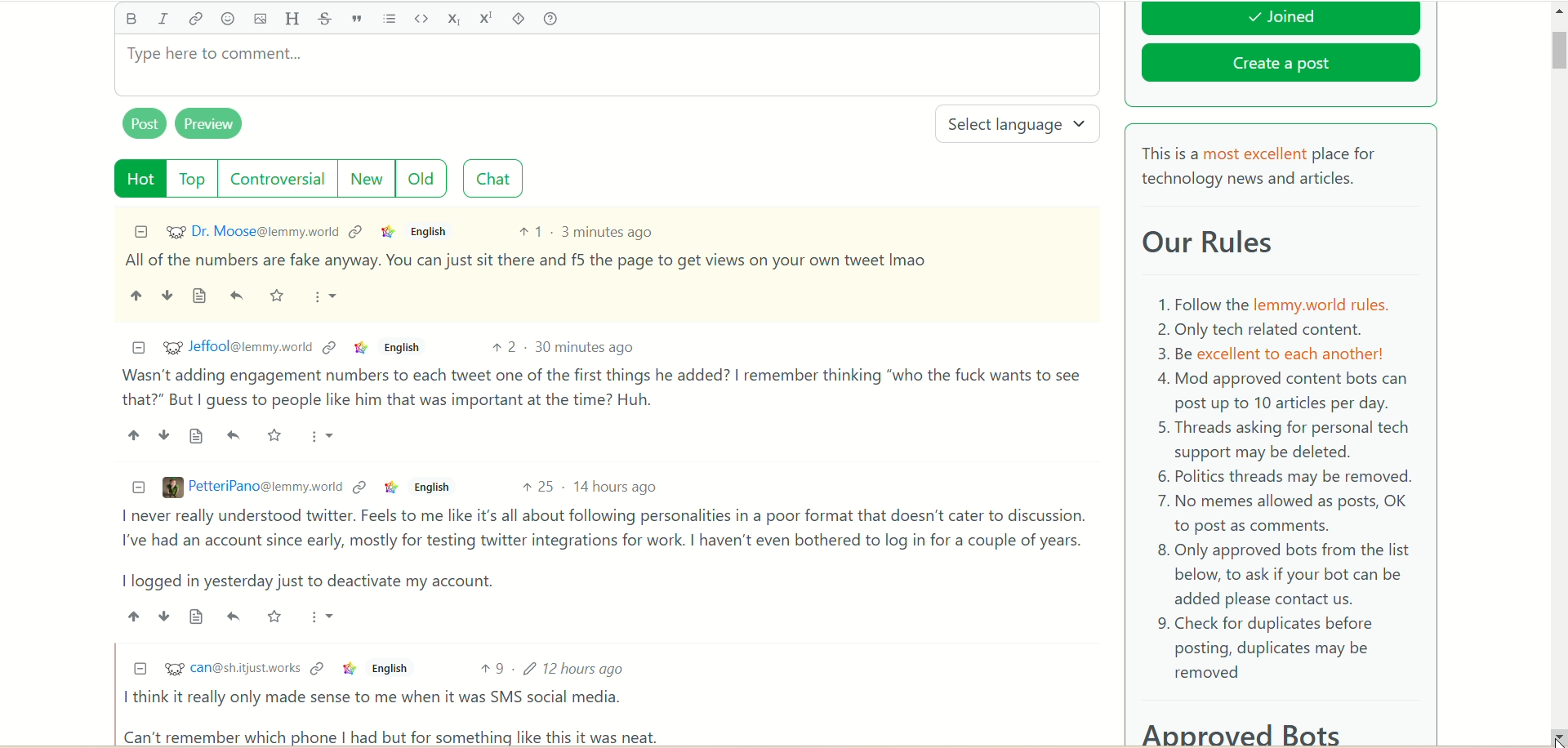 The image size is (1568, 748). Describe the element at coordinates (279, 296) in the screenshot. I see `Starred` at that location.